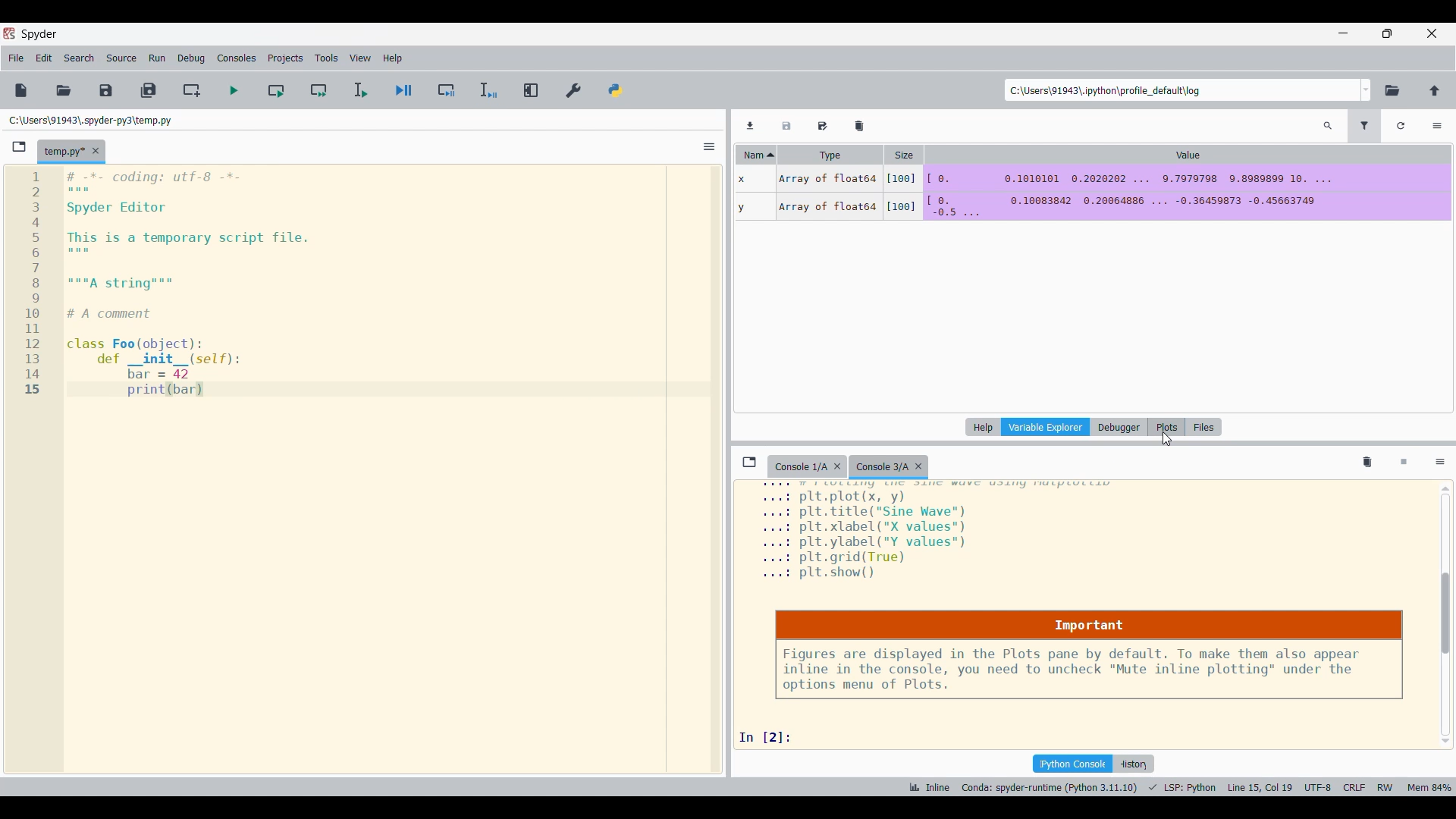 The image size is (1456, 819). I want to click on IPython console, so click(1072, 764).